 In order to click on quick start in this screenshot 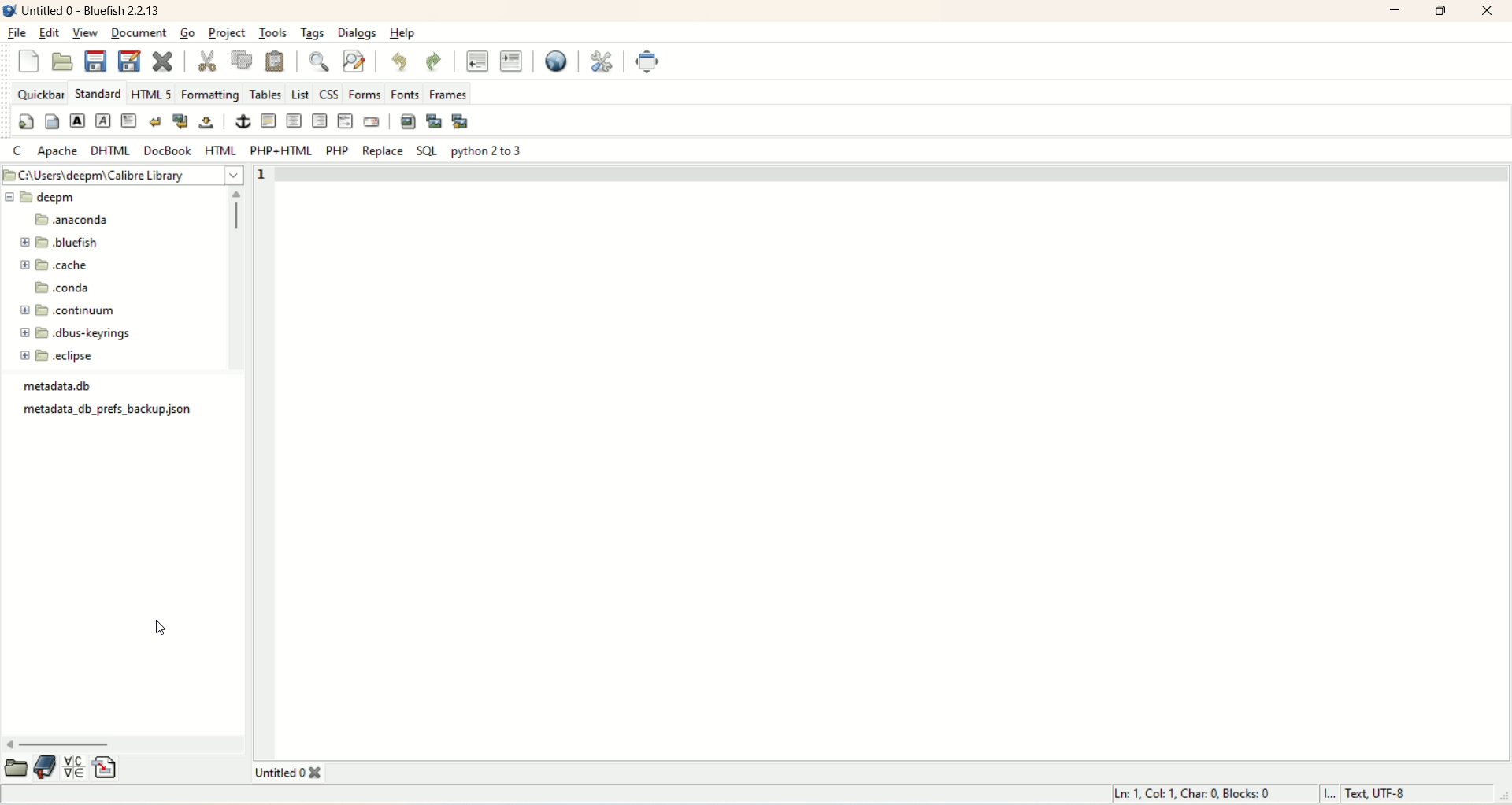, I will do `click(25, 121)`.